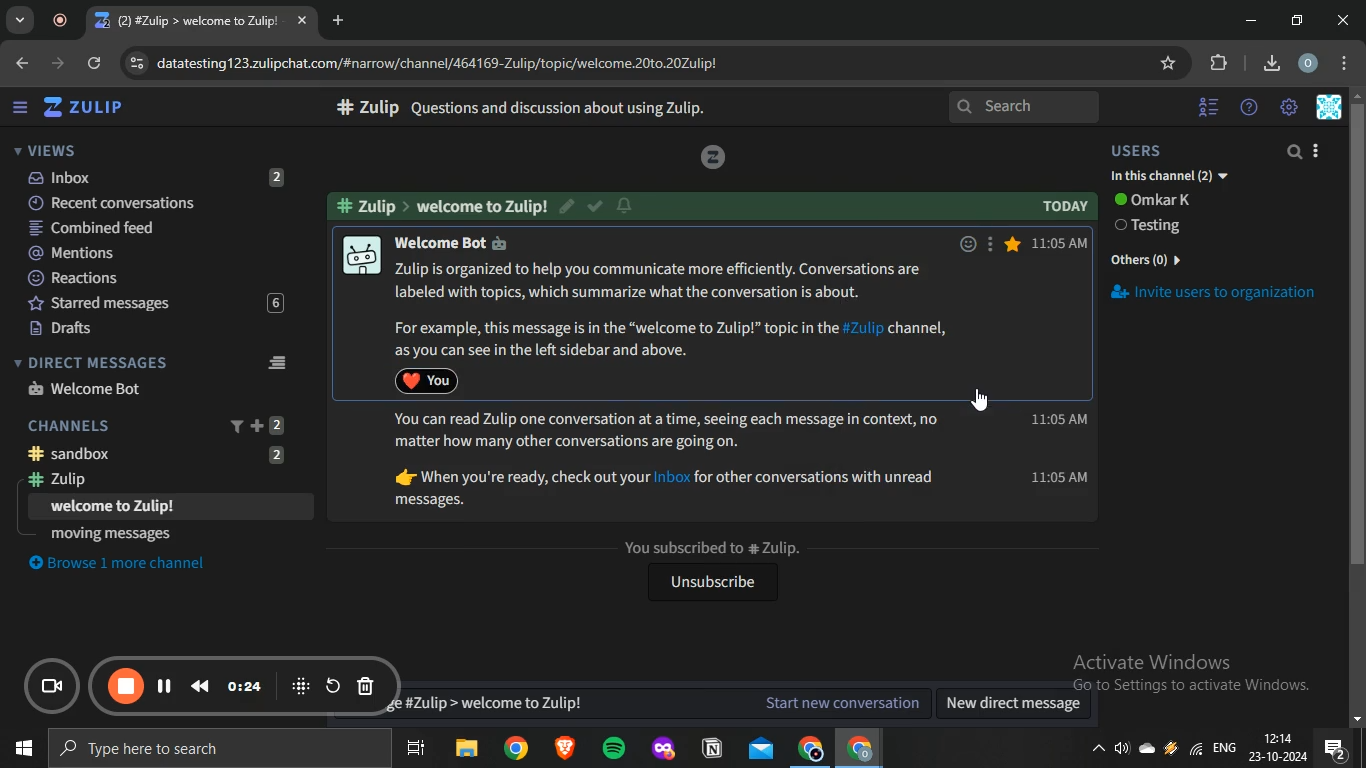 The height and width of the screenshot is (768, 1366). I want to click on outlook, so click(762, 748).